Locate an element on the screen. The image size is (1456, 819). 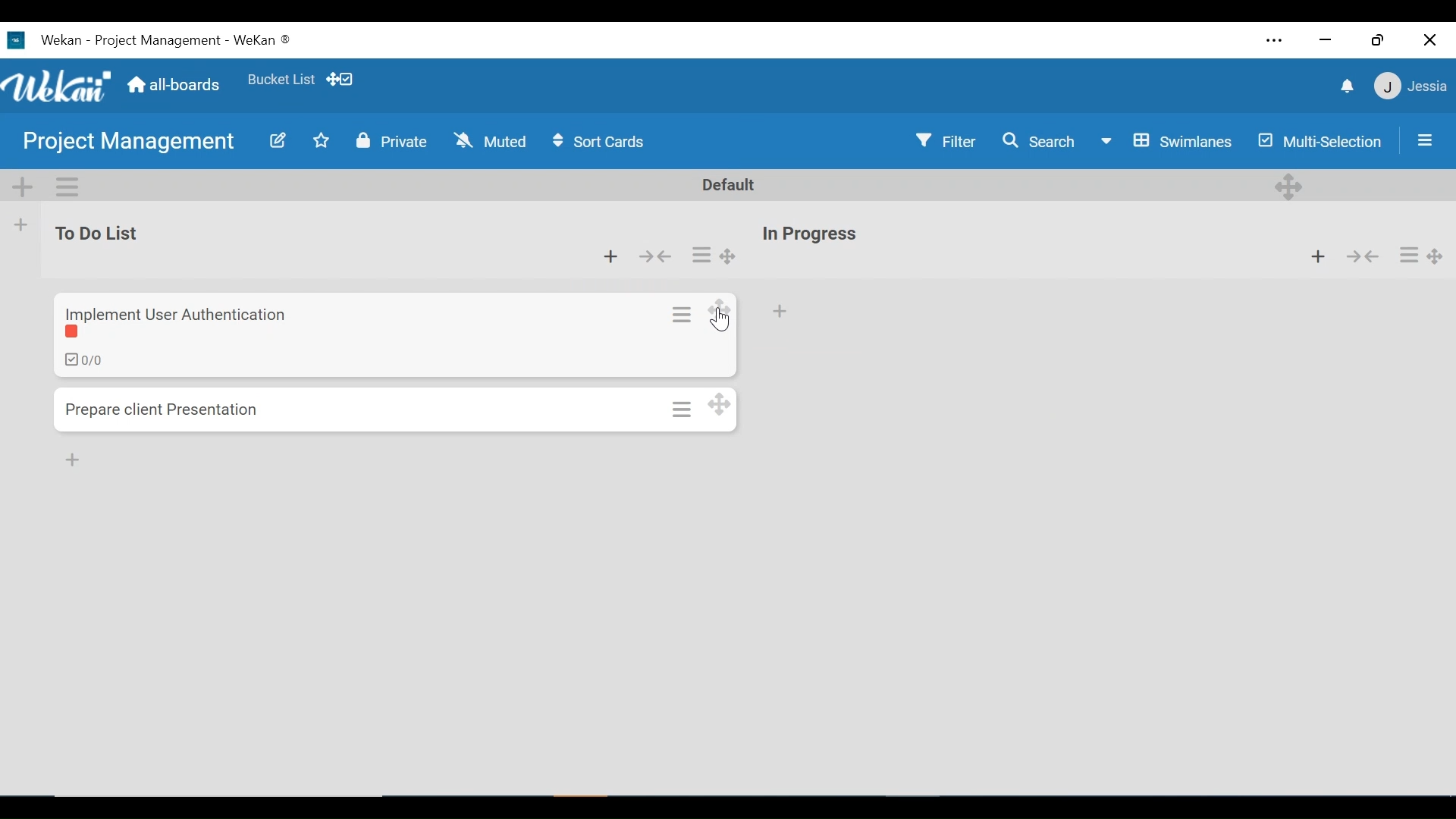
Card actions is located at coordinates (1405, 256).